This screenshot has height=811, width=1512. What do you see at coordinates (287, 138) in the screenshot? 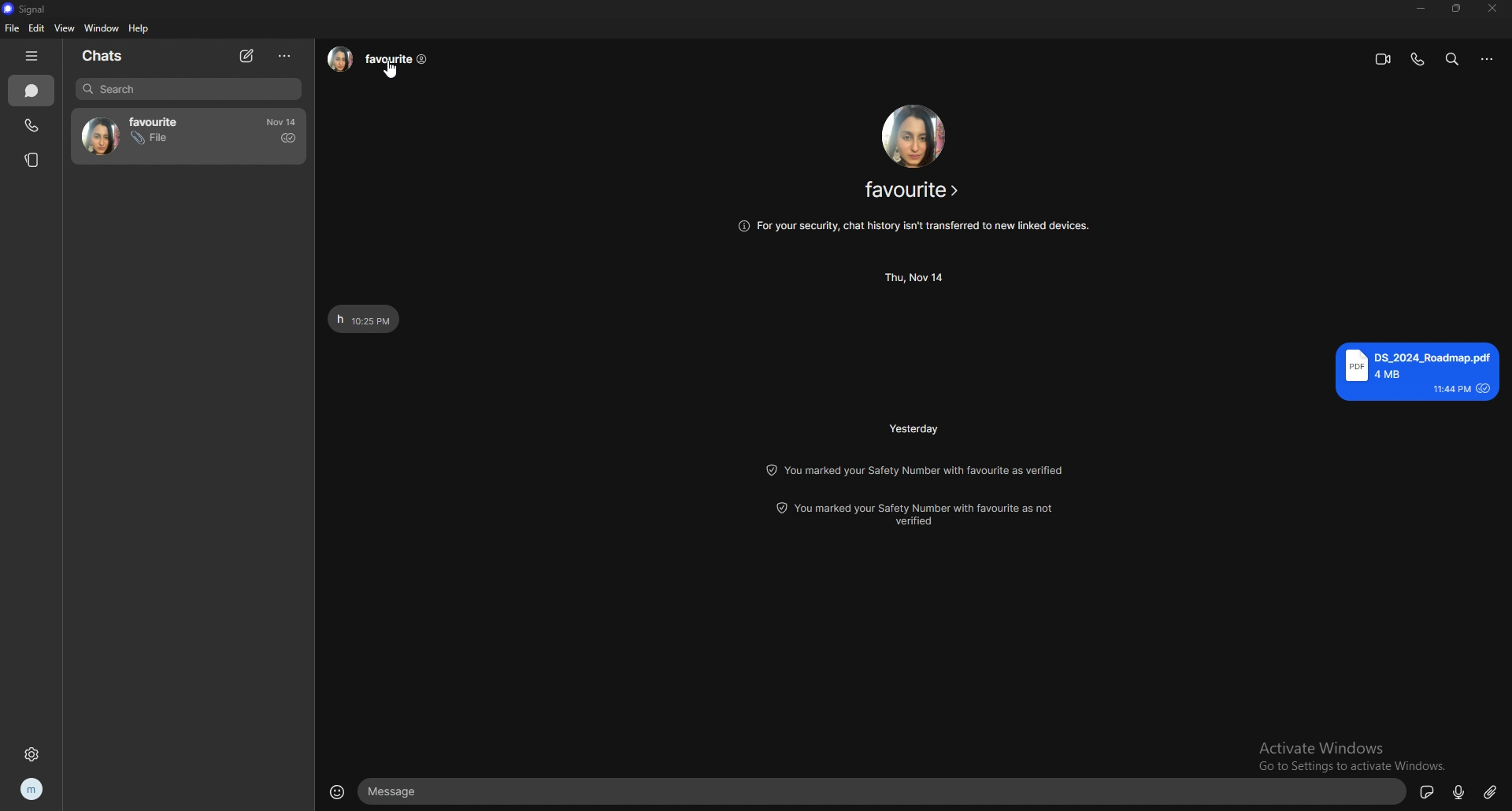
I see `sent` at bounding box center [287, 138].